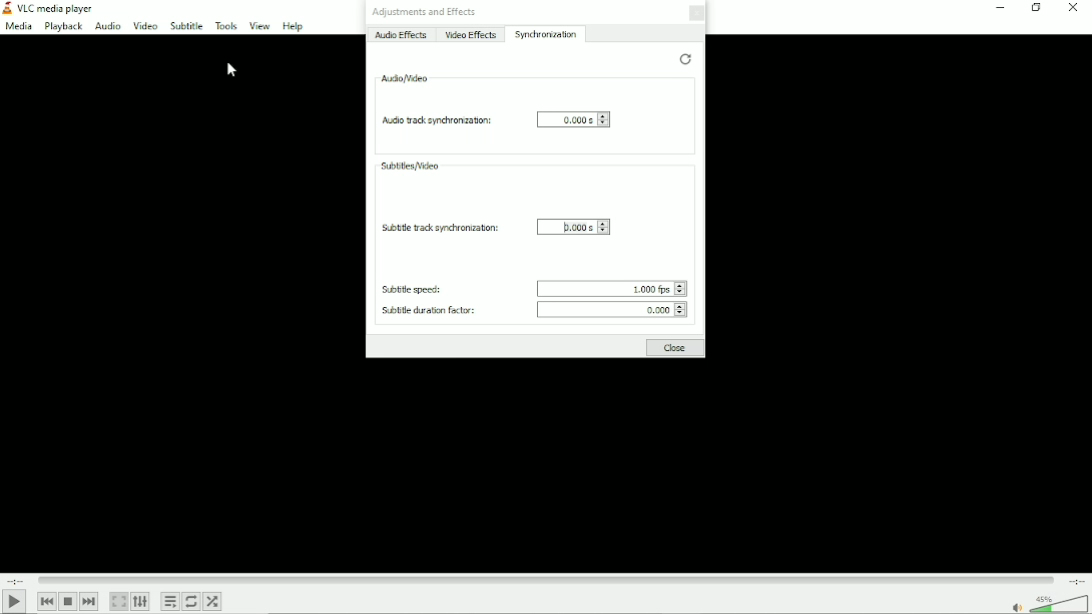 The image size is (1092, 614). Describe the element at coordinates (436, 120) in the screenshot. I see `Audio track synchronization` at that location.